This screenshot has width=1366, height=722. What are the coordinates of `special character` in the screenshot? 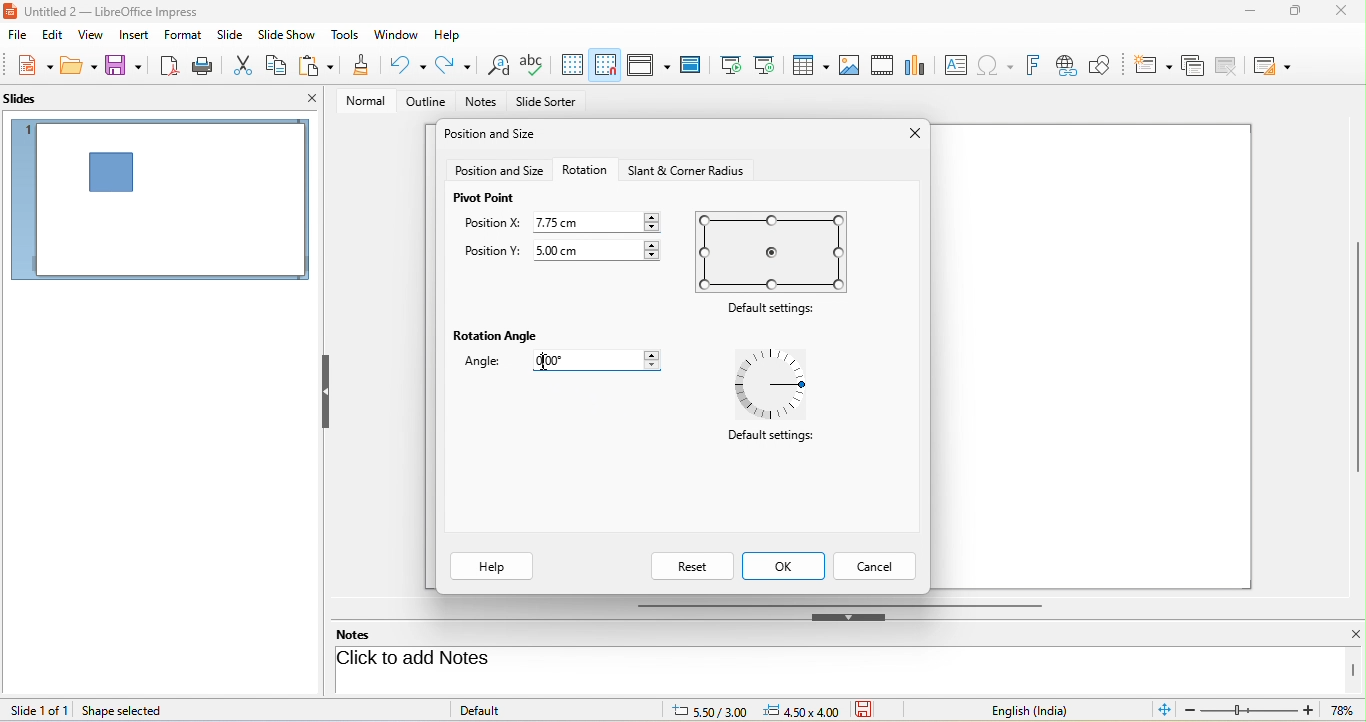 It's located at (999, 65).